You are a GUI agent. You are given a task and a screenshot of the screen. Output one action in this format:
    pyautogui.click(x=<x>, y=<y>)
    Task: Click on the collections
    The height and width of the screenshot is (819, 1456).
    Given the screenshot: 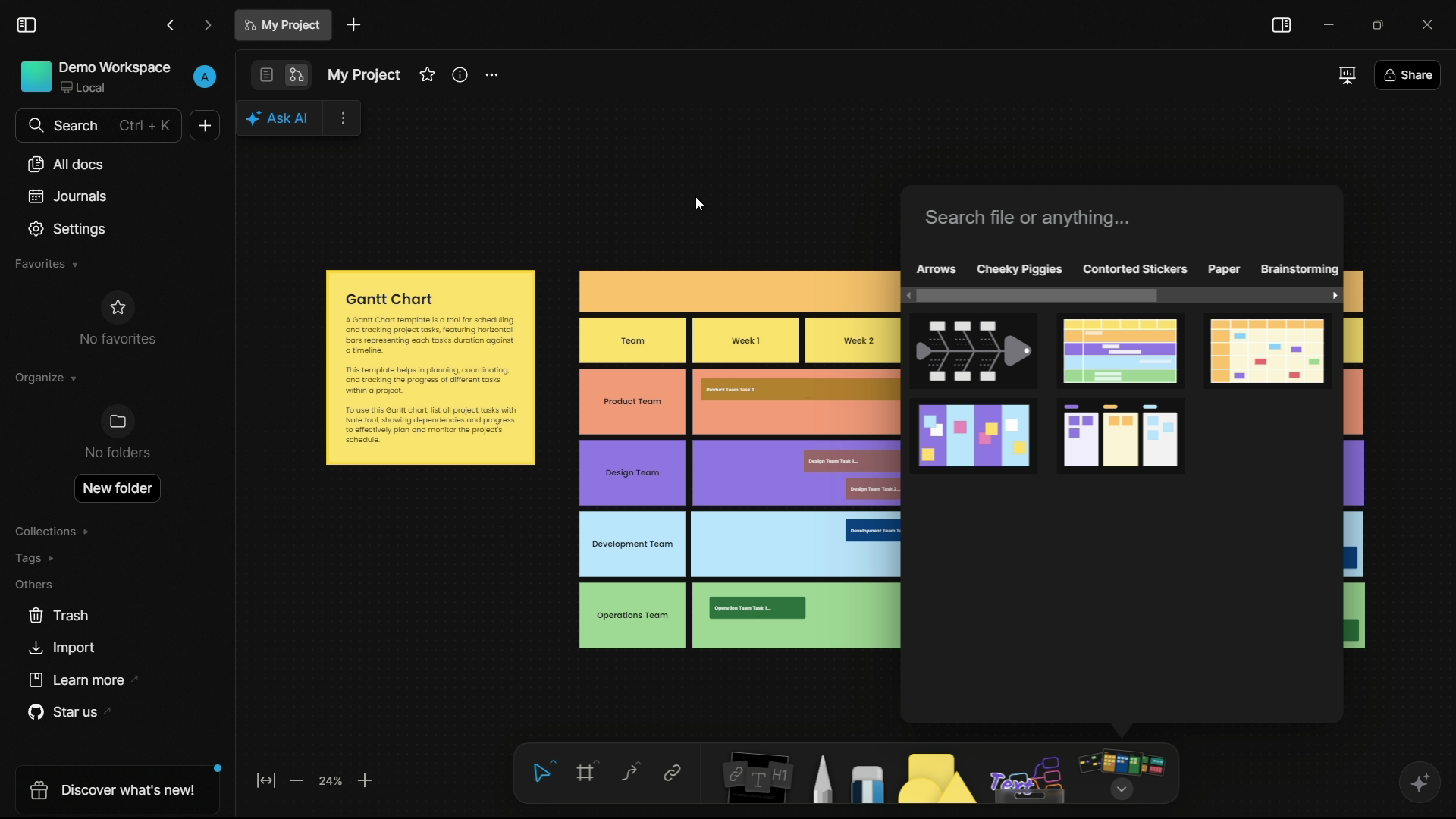 What is the action you would take?
    pyautogui.click(x=54, y=532)
    